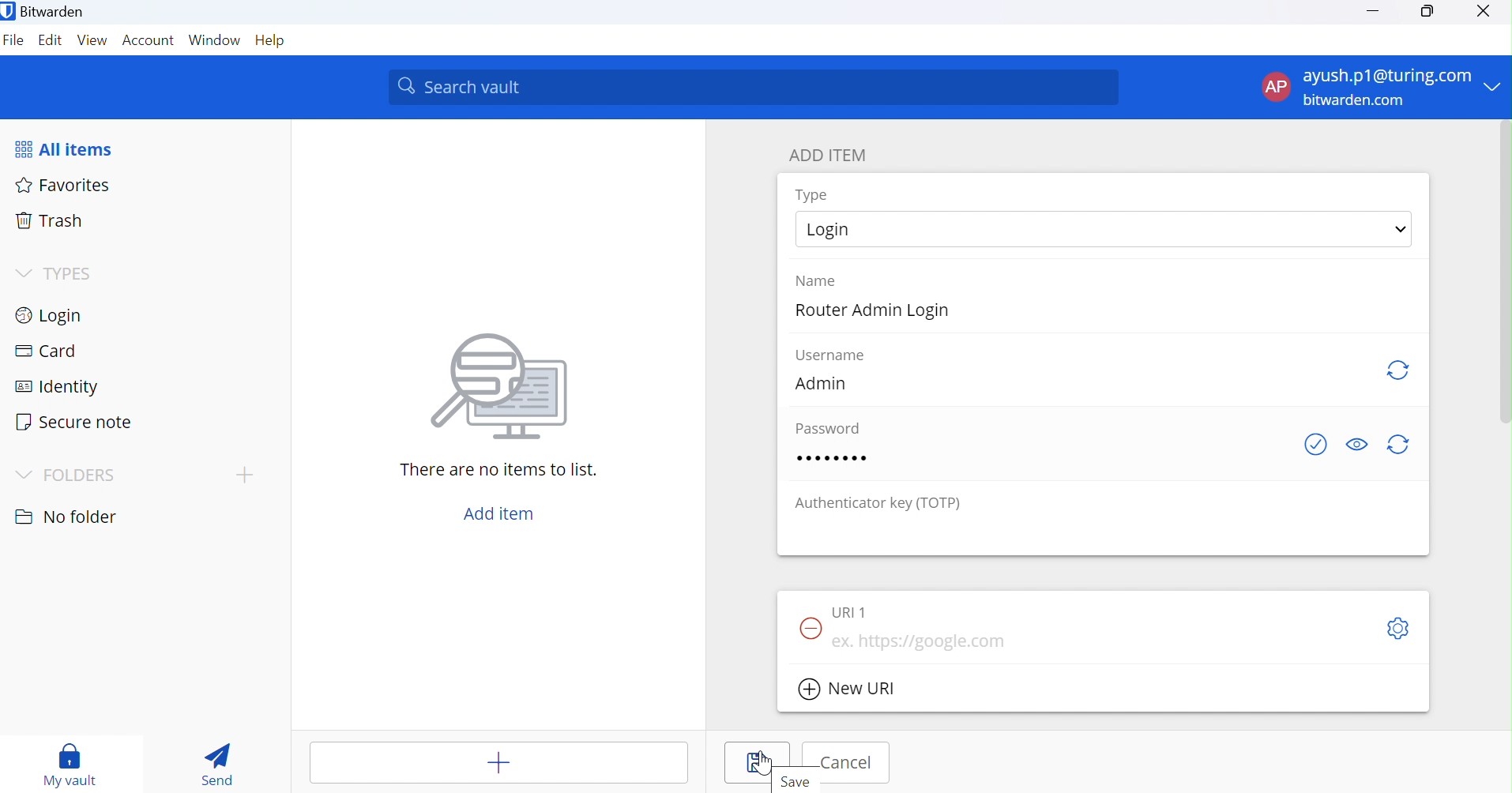 This screenshot has width=1512, height=793. I want to click on add topic, so click(245, 474).